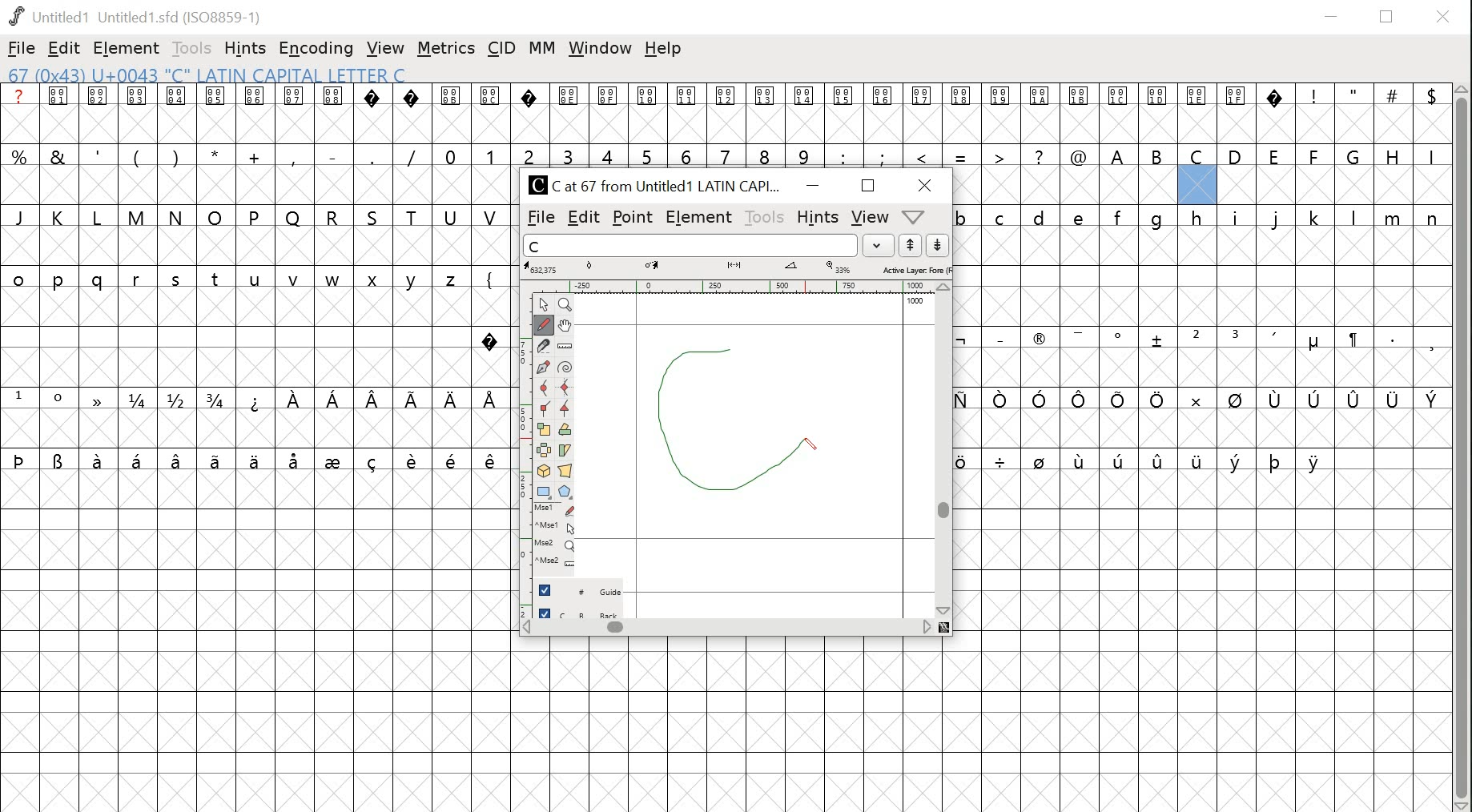 The height and width of the screenshot is (812, 1472). I want to click on file, so click(21, 48).